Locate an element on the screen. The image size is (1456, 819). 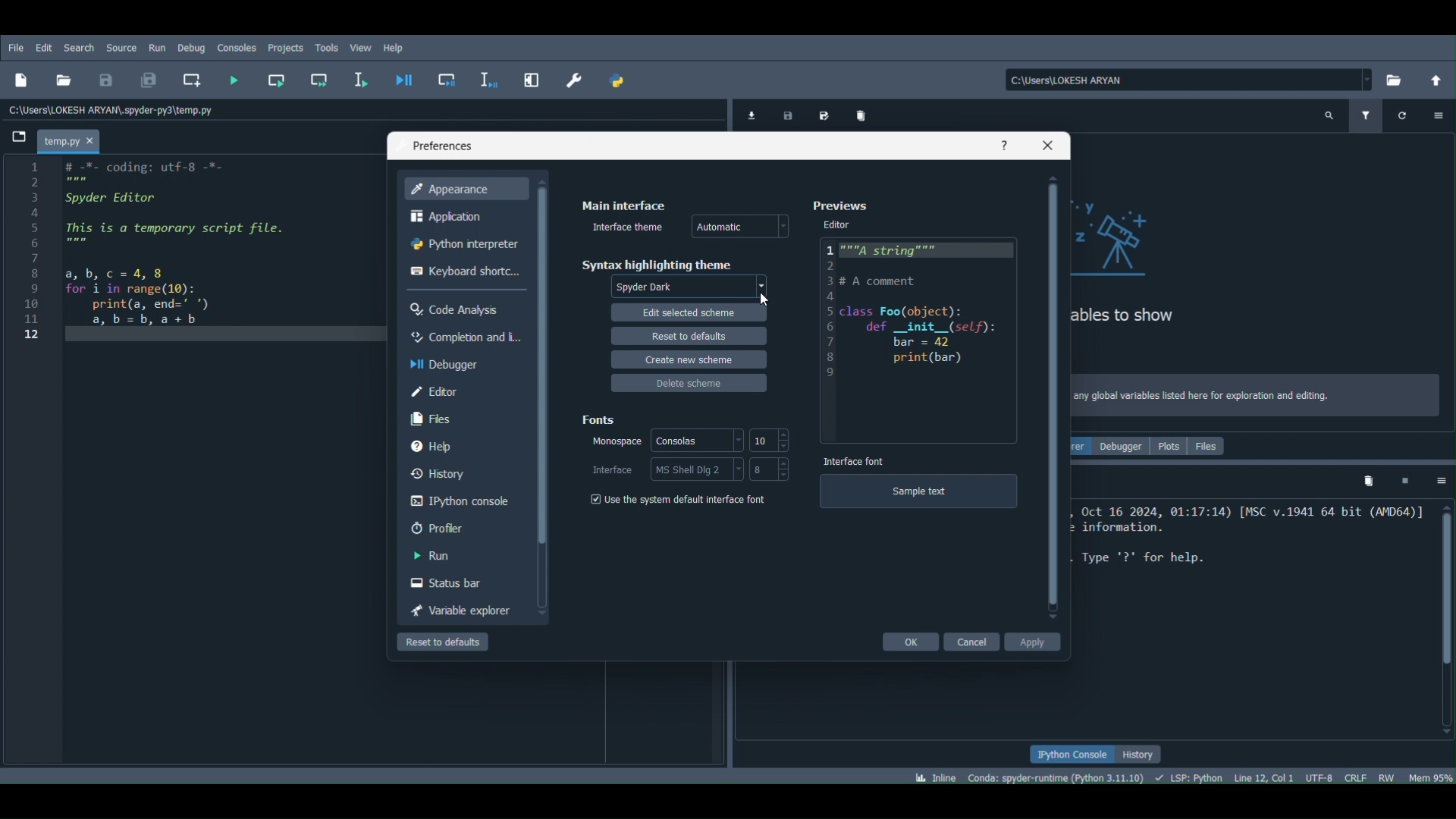
Scrollbar is located at coordinates (1056, 398).